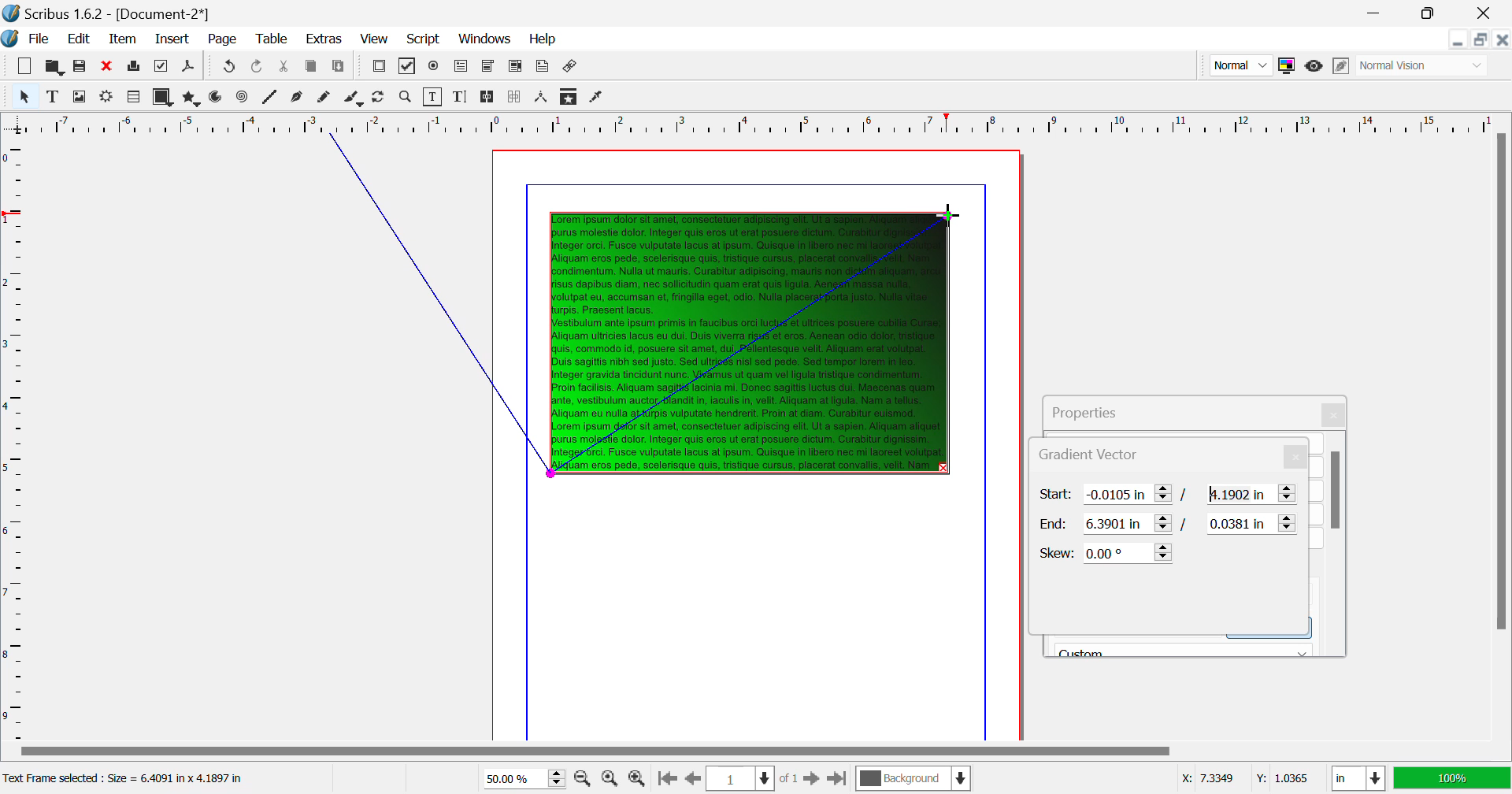 The height and width of the screenshot is (794, 1512). What do you see at coordinates (25, 66) in the screenshot?
I see `New` at bounding box center [25, 66].